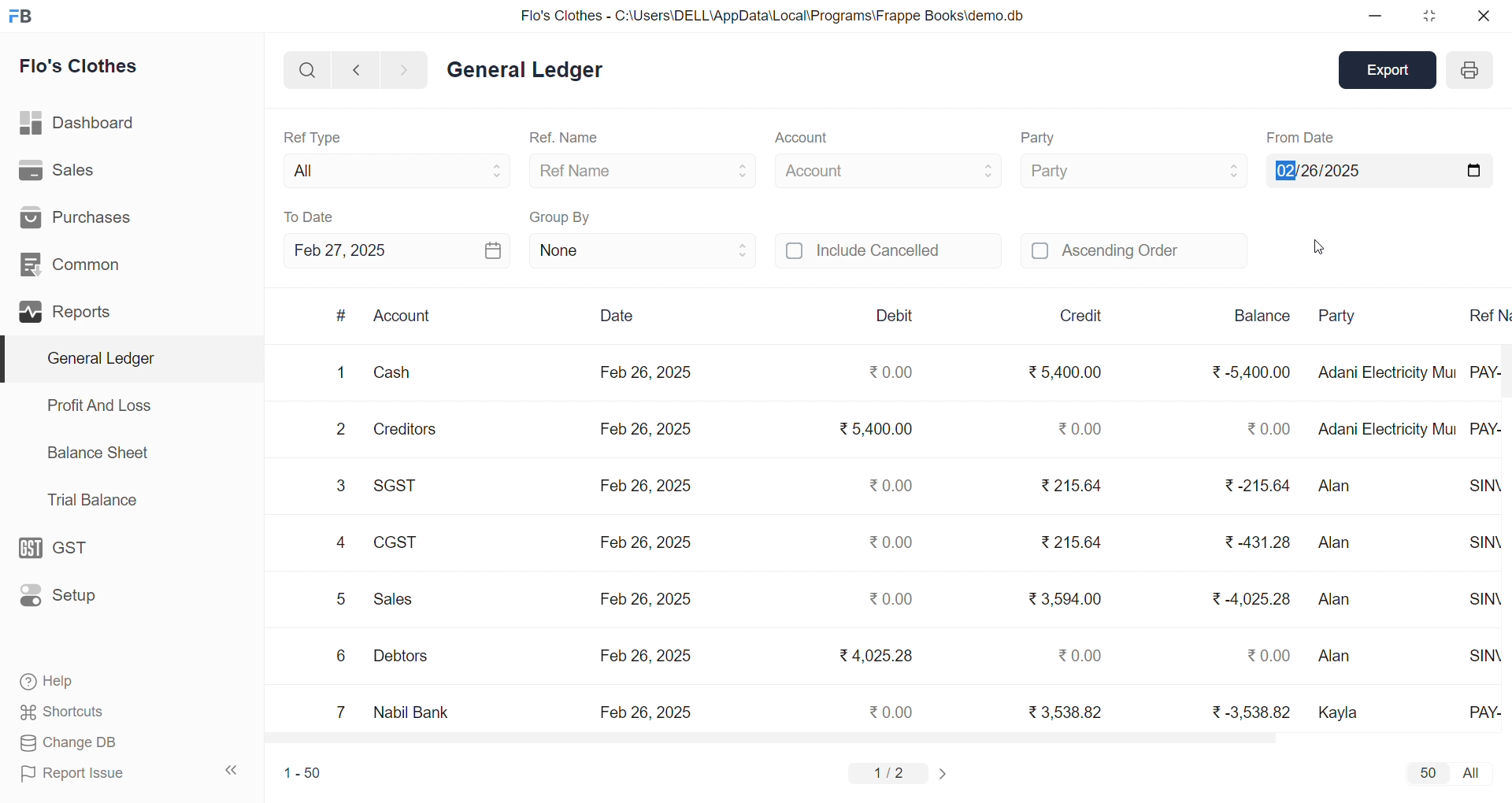 The image size is (1512, 803). Describe the element at coordinates (1391, 68) in the screenshot. I see `Export` at that location.